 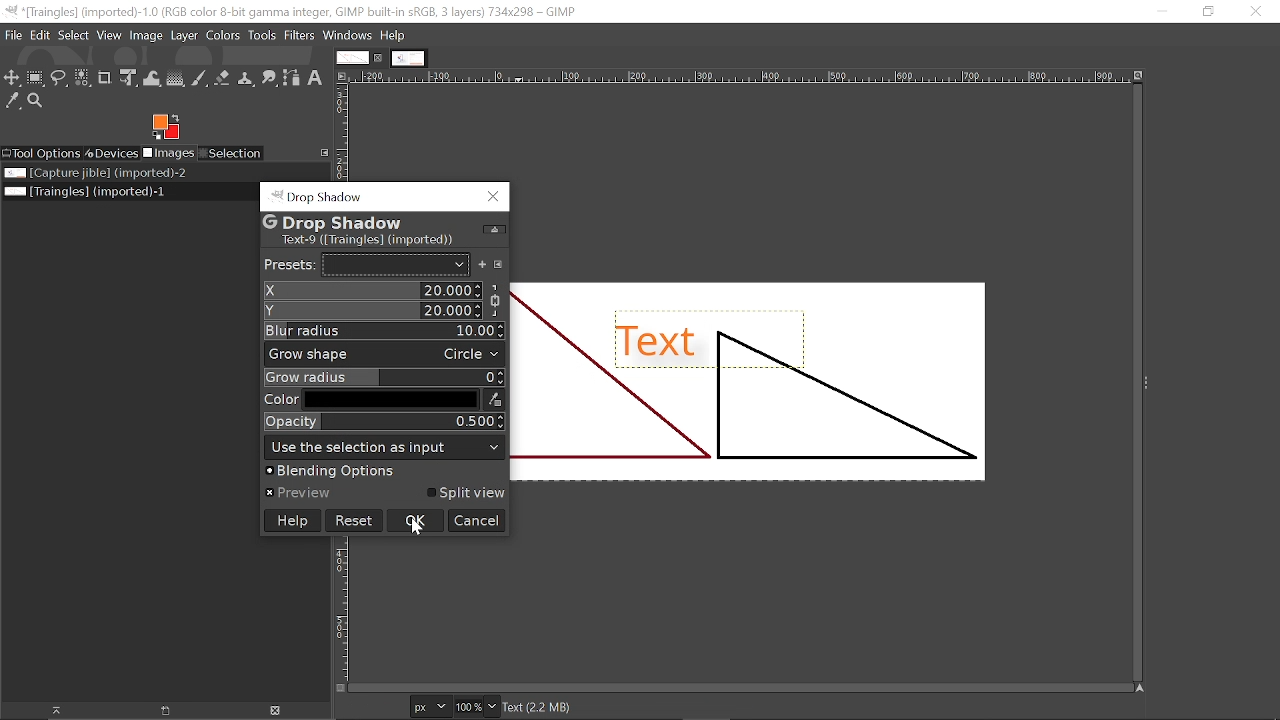 What do you see at coordinates (1138, 689) in the screenshot?
I see `Navigate this window` at bounding box center [1138, 689].